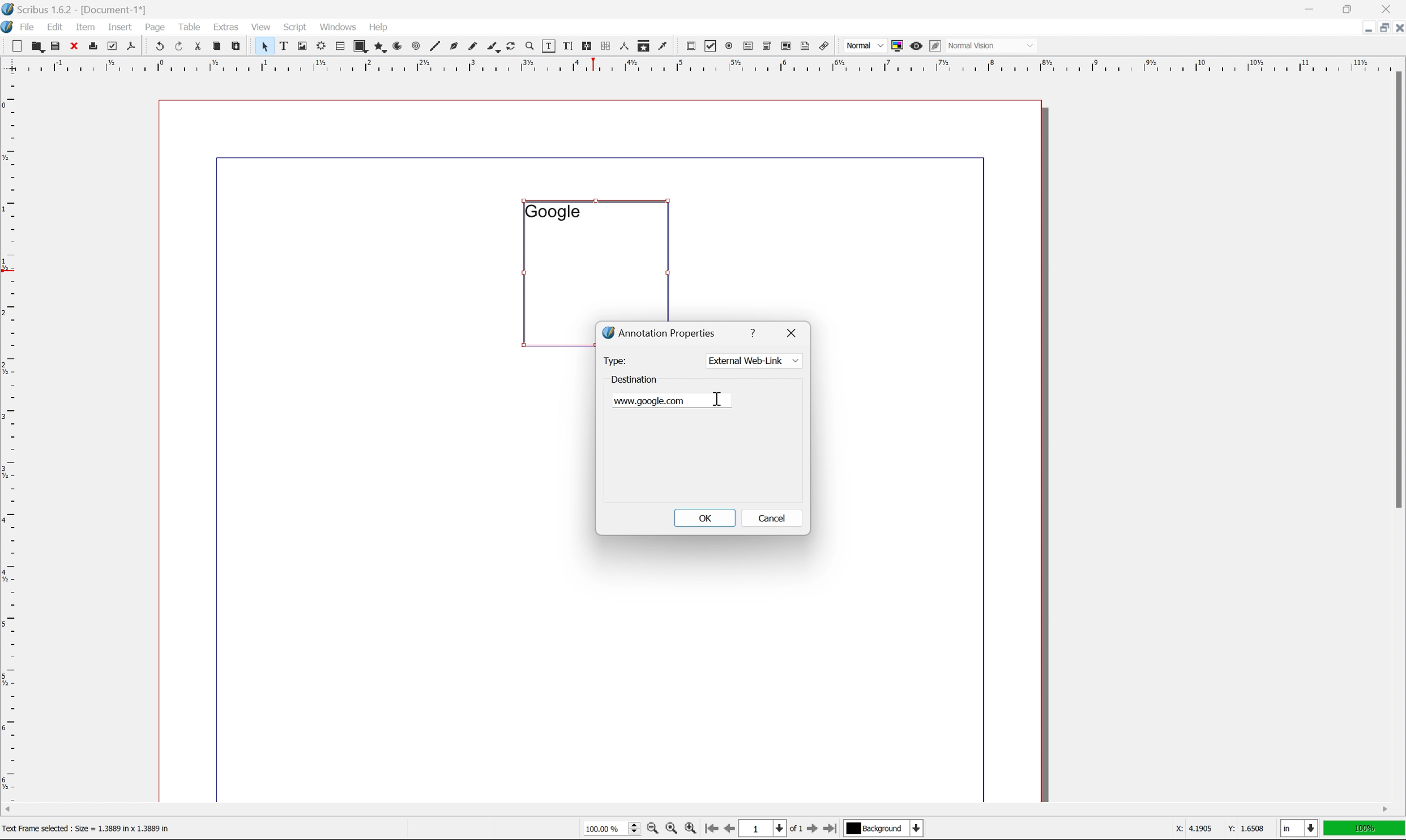 This screenshot has height=840, width=1406. I want to click on help, so click(378, 27).